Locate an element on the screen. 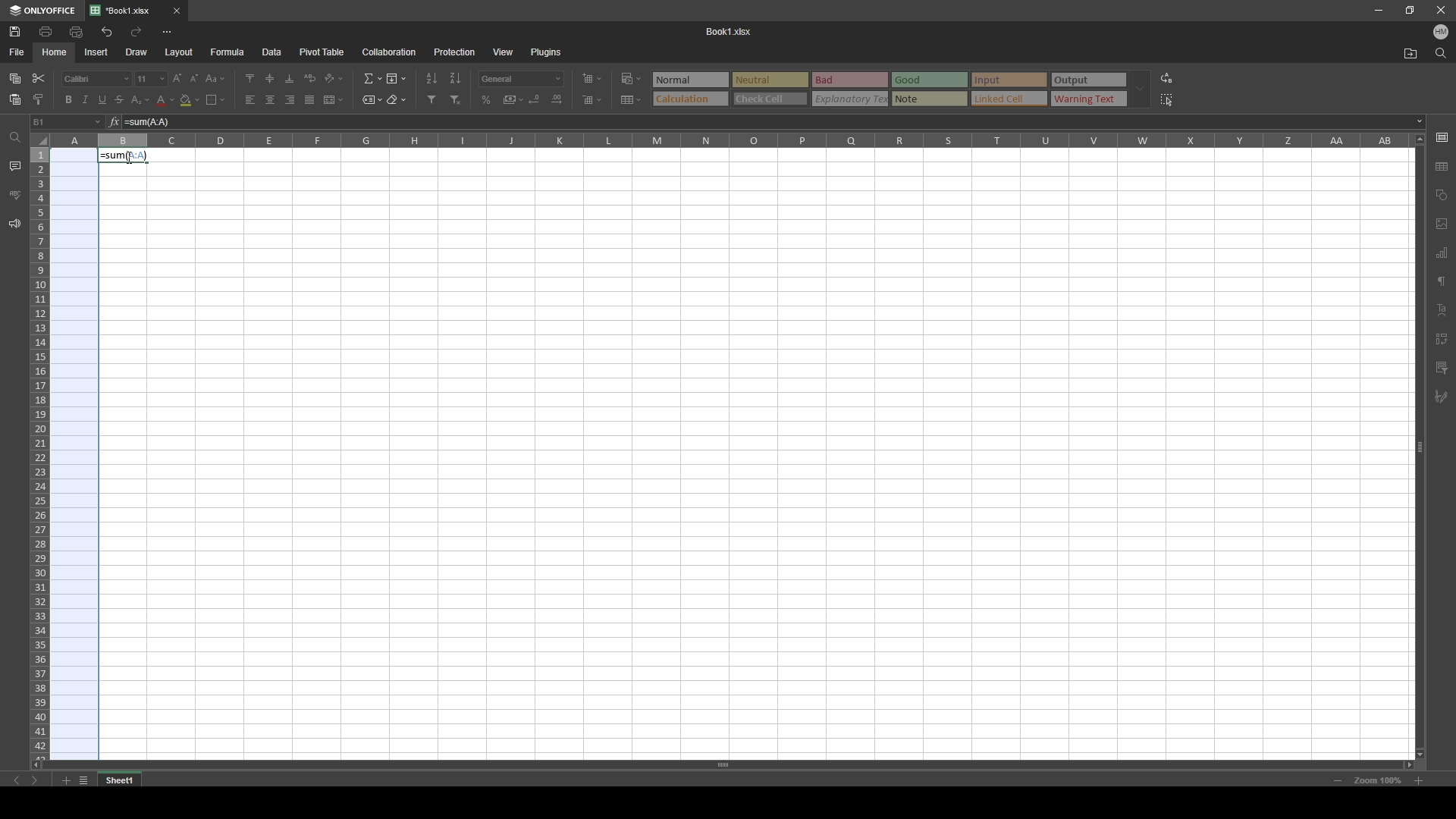 The height and width of the screenshot is (819, 1456). align middle is located at coordinates (270, 77).